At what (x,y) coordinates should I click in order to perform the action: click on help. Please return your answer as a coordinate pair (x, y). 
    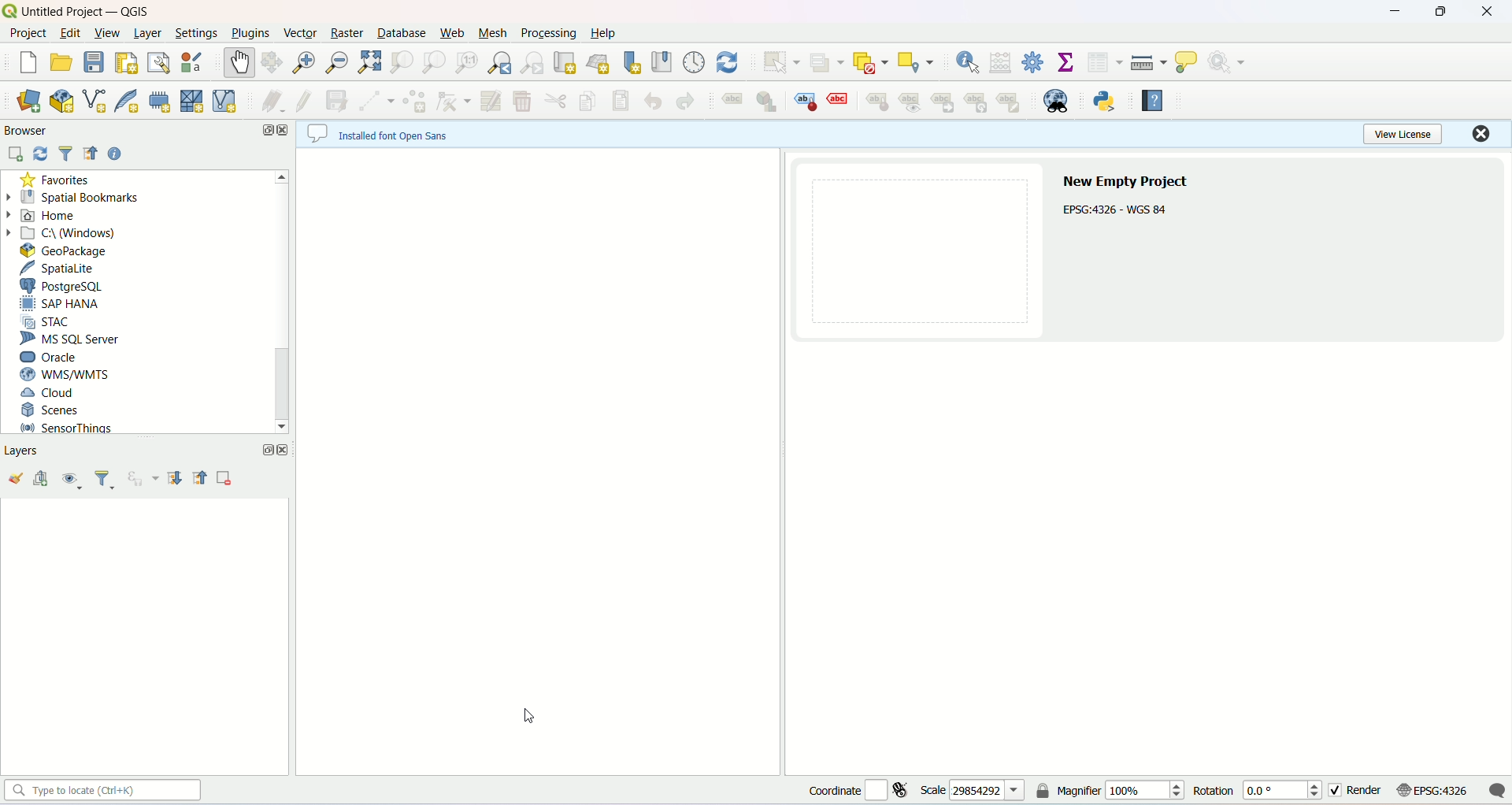
    Looking at the image, I should click on (120, 154).